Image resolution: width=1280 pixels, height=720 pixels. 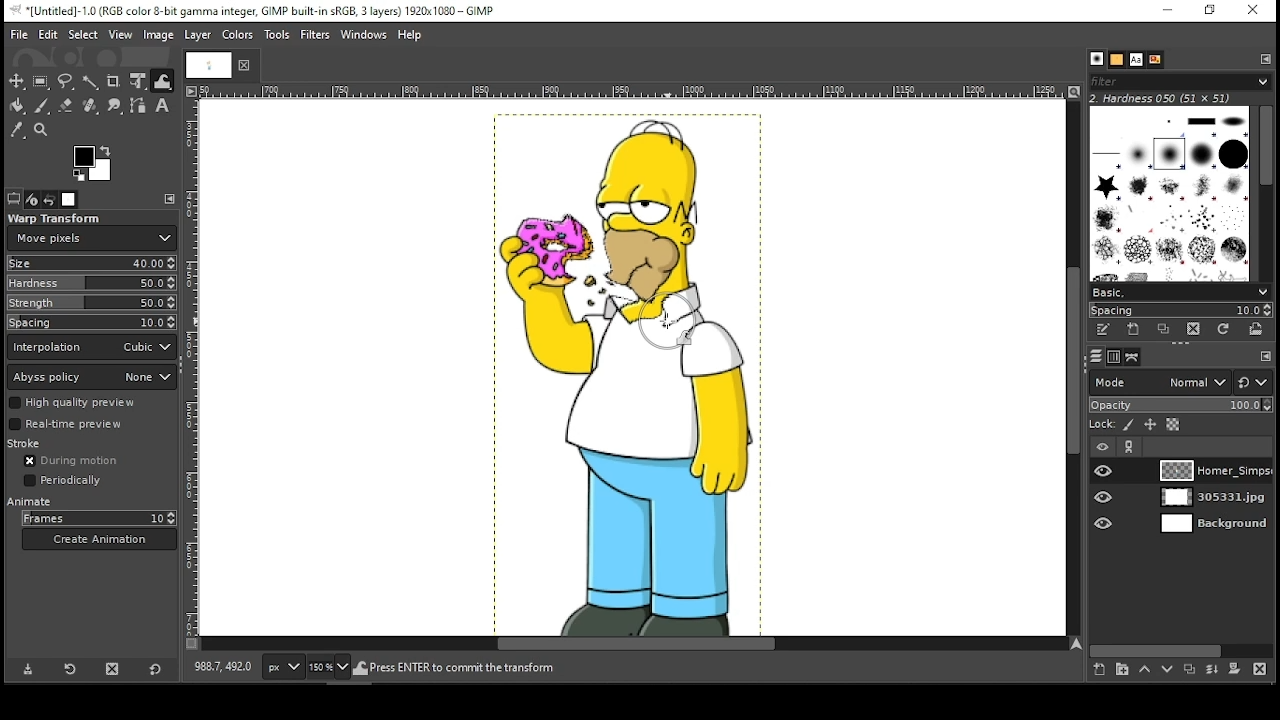 I want to click on brushes, so click(x=1171, y=193).